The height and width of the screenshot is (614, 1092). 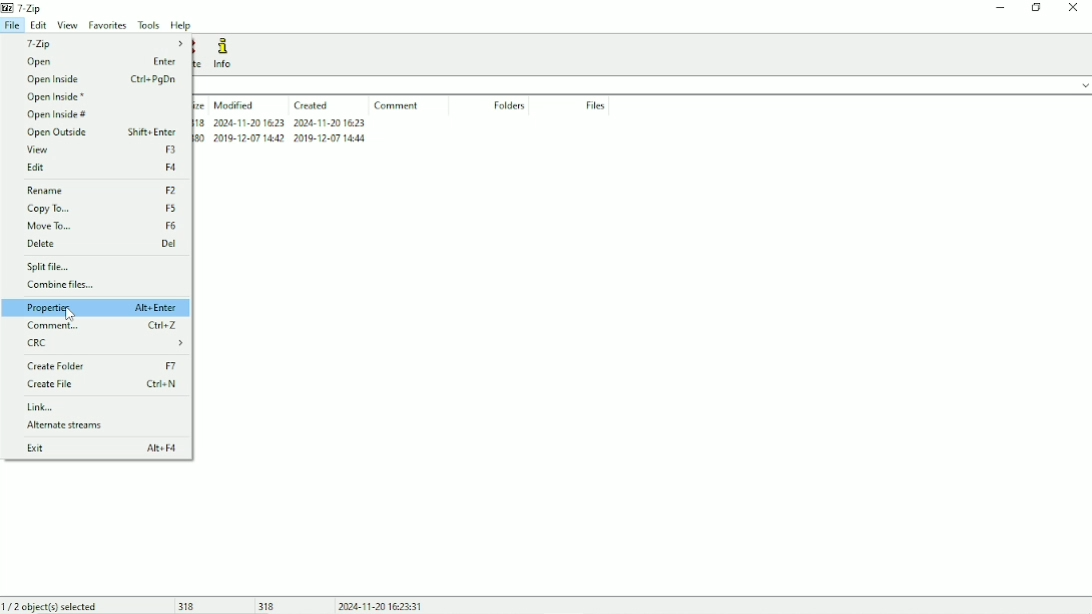 What do you see at coordinates (61, 285) in the screenshot?
I see `Combine files` at bounding box center [61, 285].